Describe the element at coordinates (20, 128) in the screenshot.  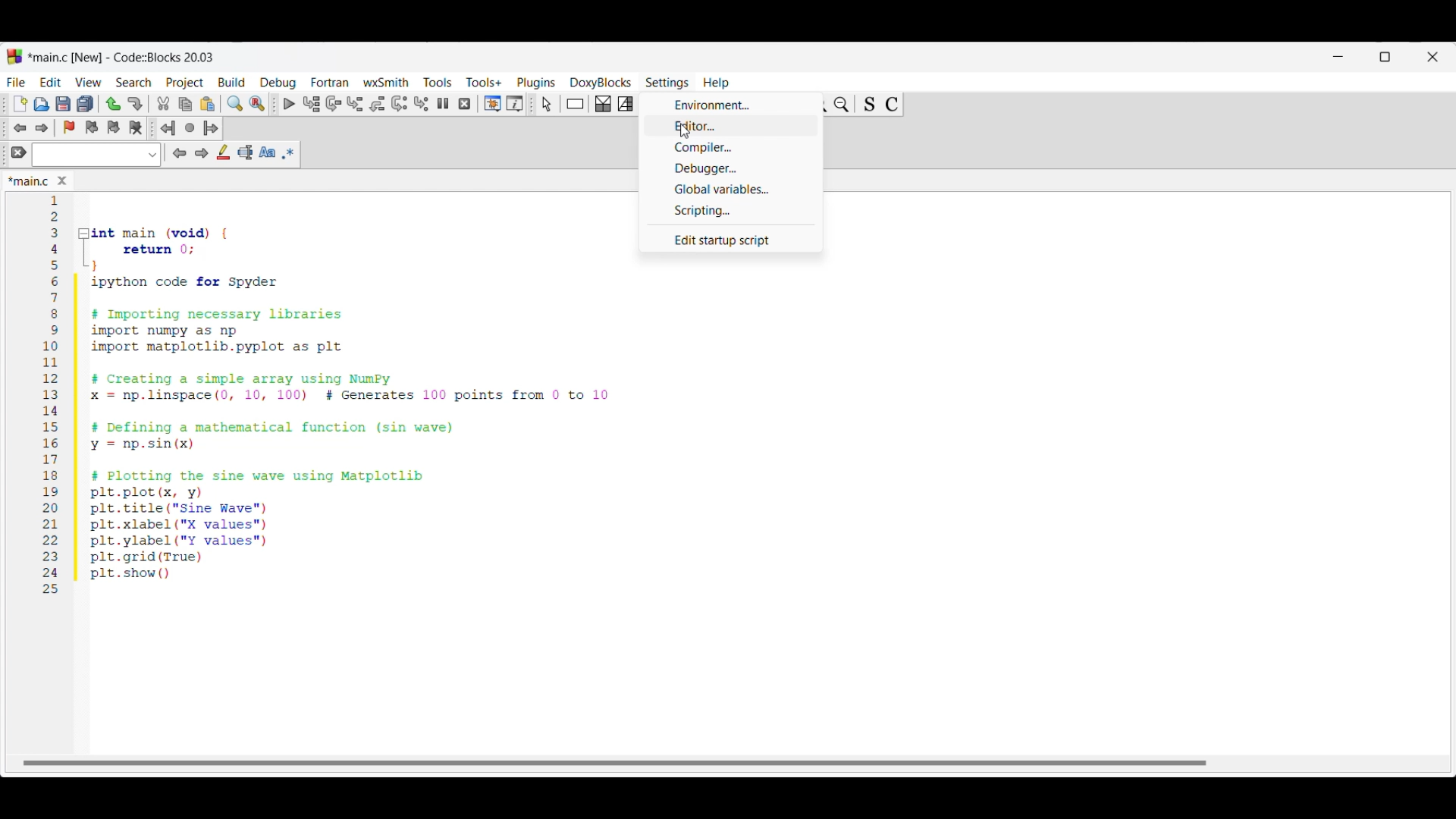
I see `Toggle back` at that location.